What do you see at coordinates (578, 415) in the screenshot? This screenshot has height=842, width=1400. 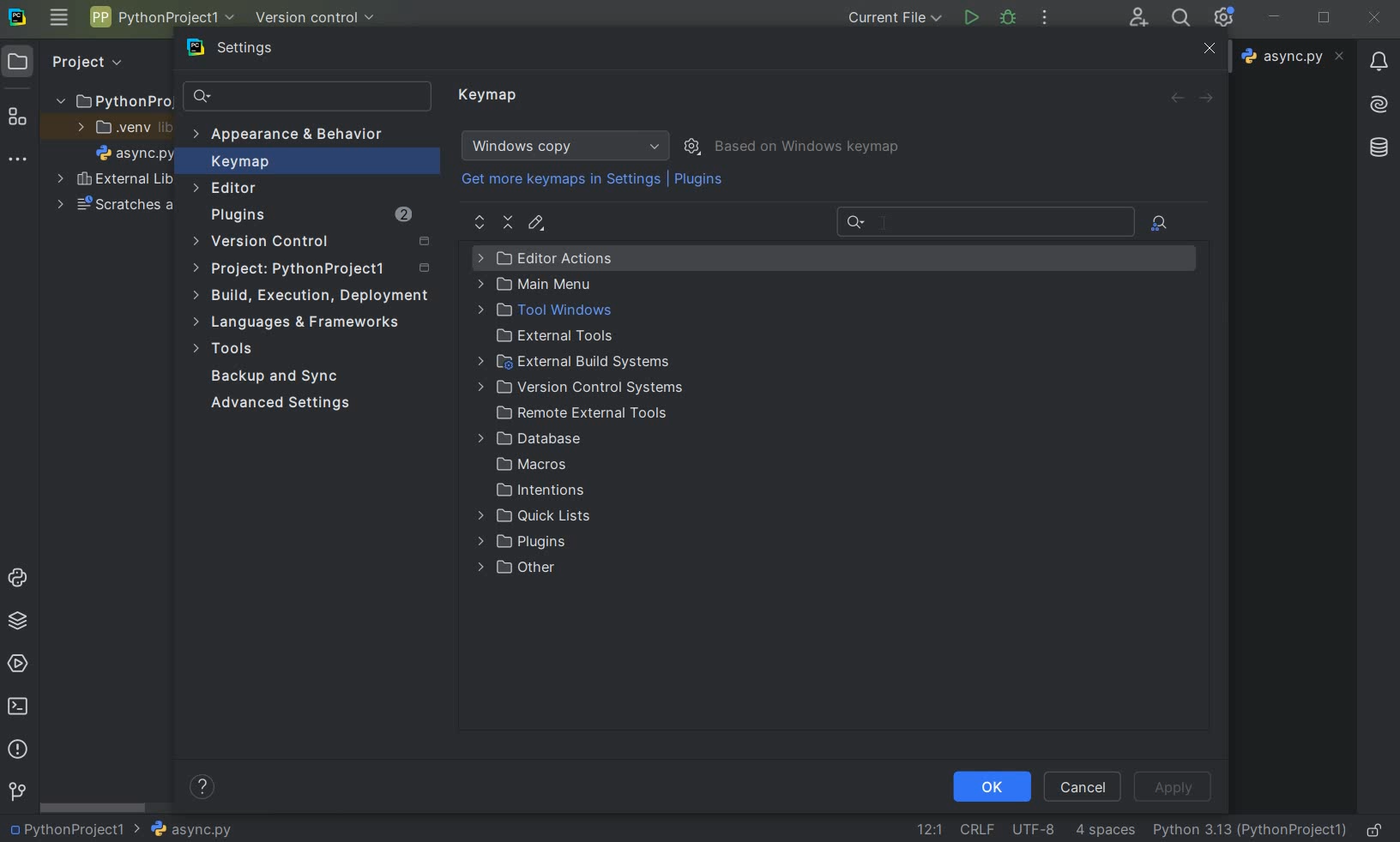 I see `remote external tools` at bounding box center [578, 415].